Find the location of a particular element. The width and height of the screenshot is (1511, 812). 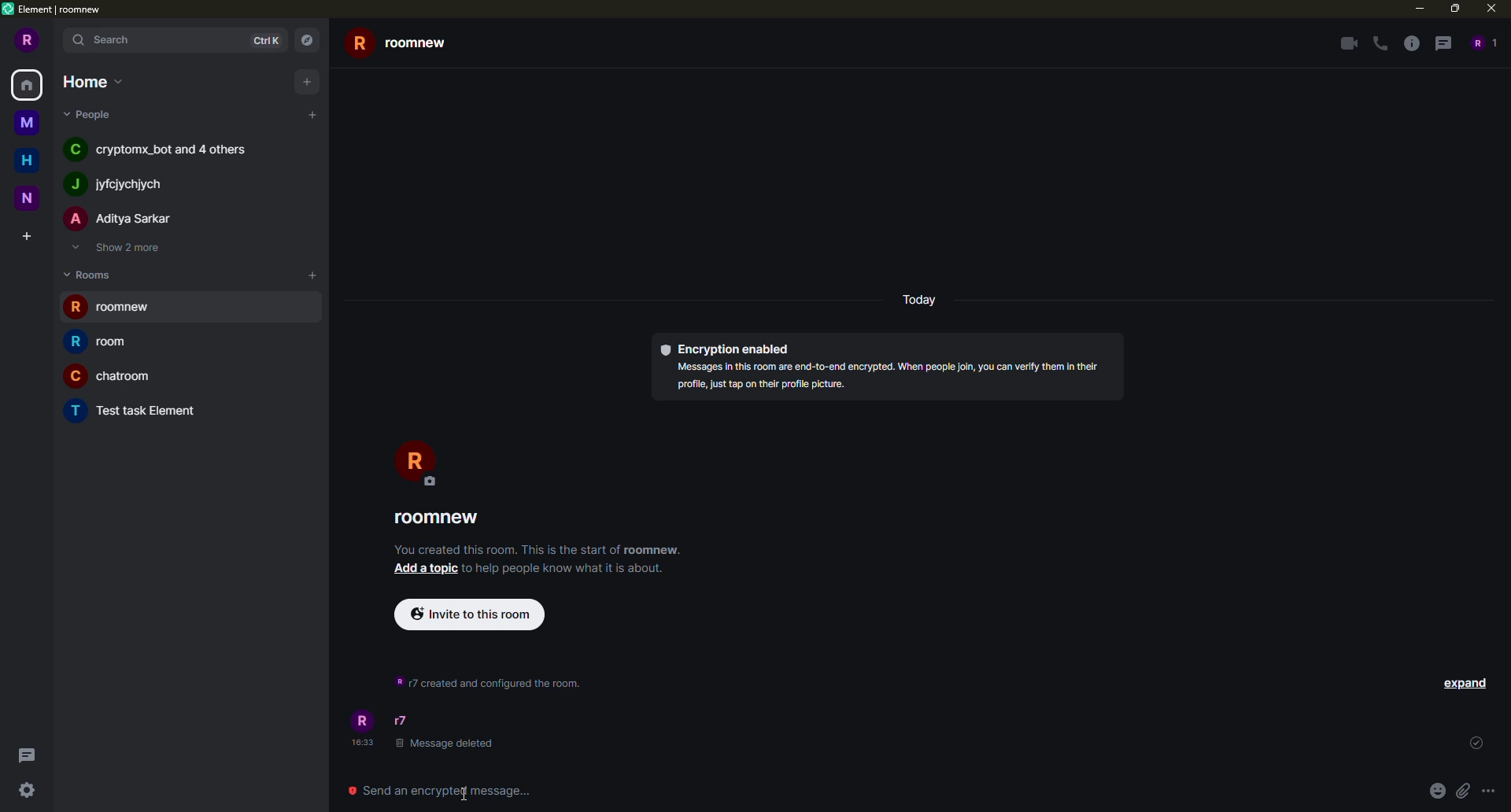

close is located at coordinates (1490, 9).